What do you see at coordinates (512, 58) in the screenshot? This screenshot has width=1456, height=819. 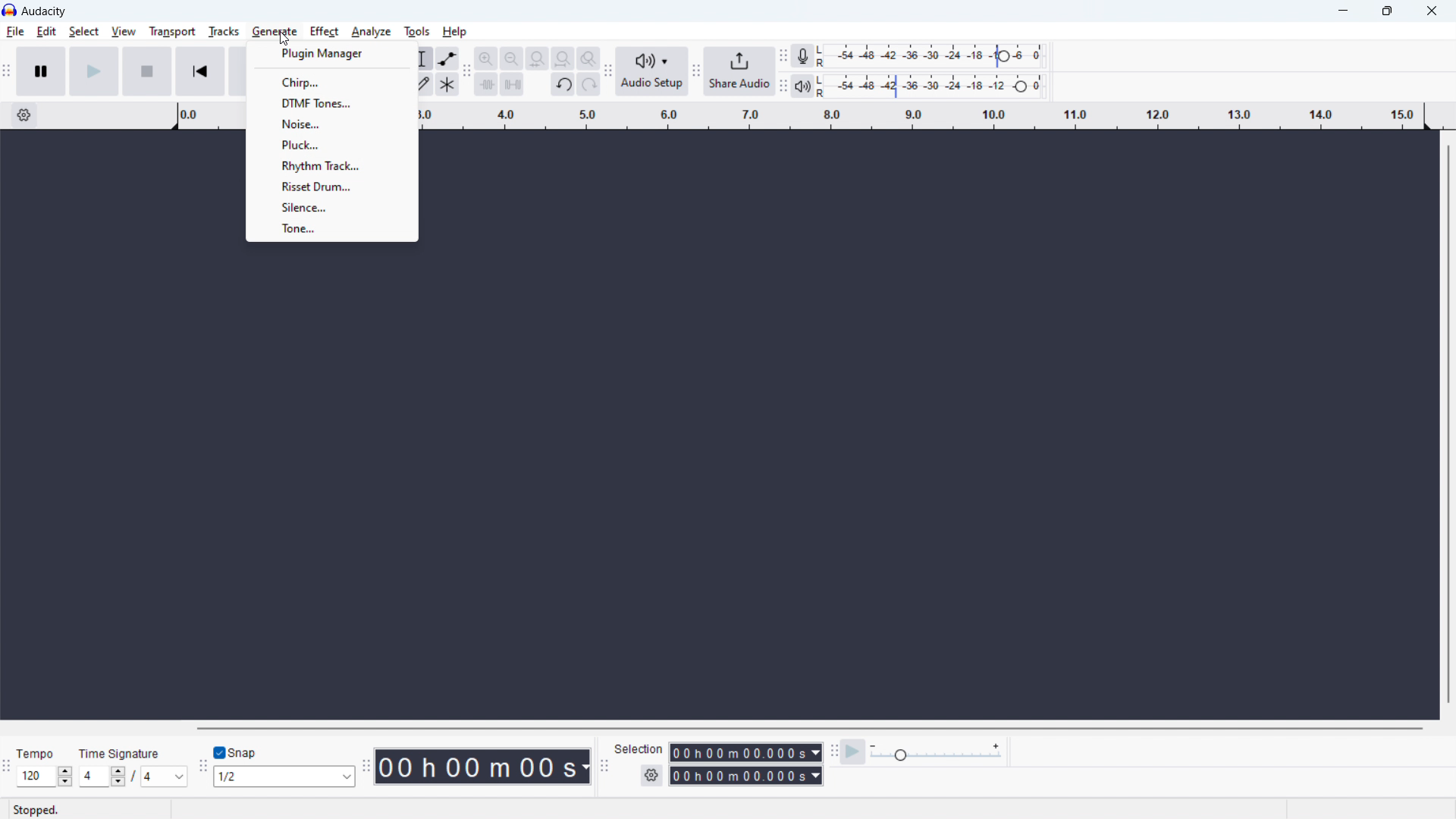 I see `zoom out` at bounding box center [512, 58].